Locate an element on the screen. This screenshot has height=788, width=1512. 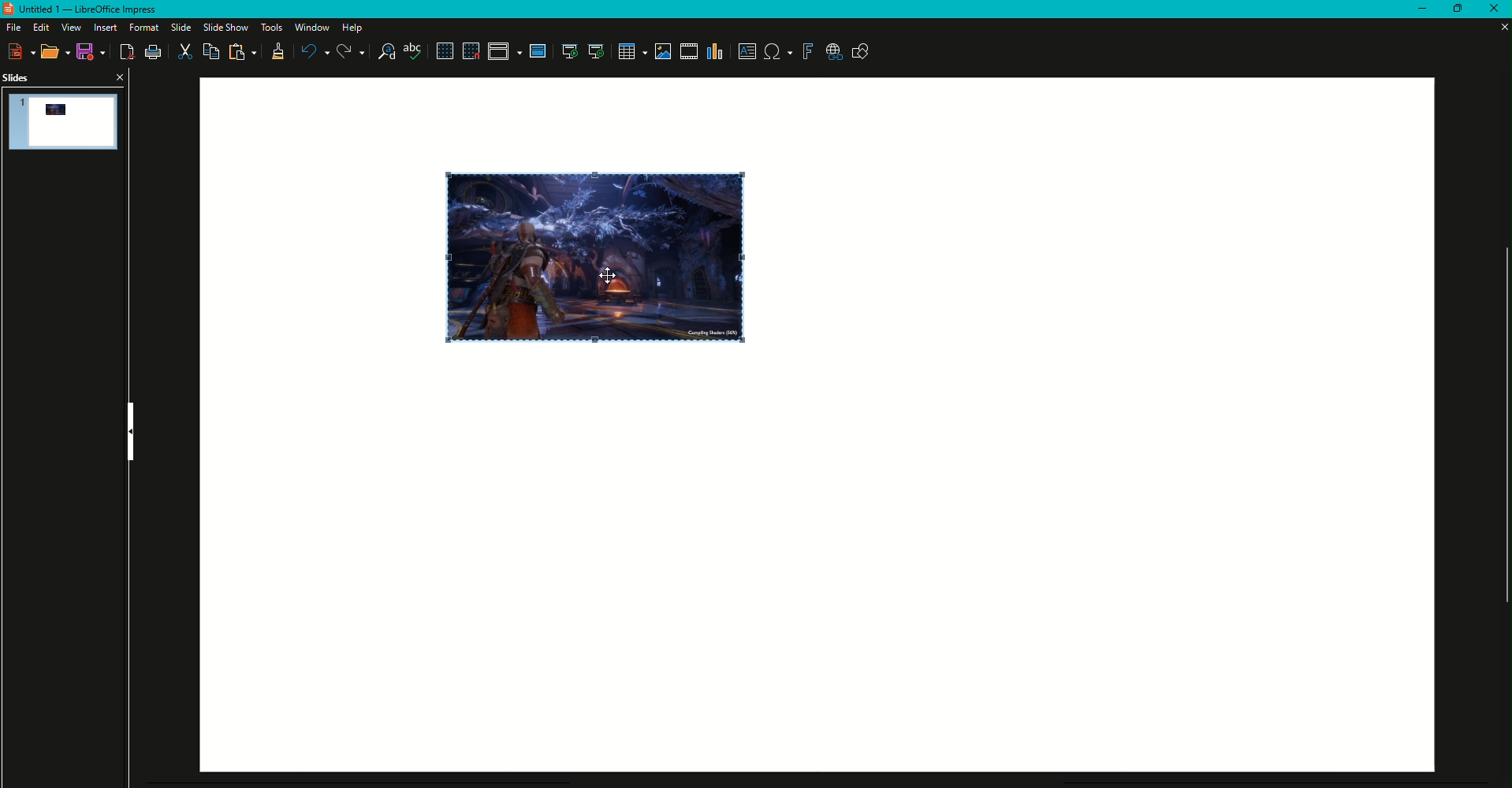
View is located at coordinates (69, 28).